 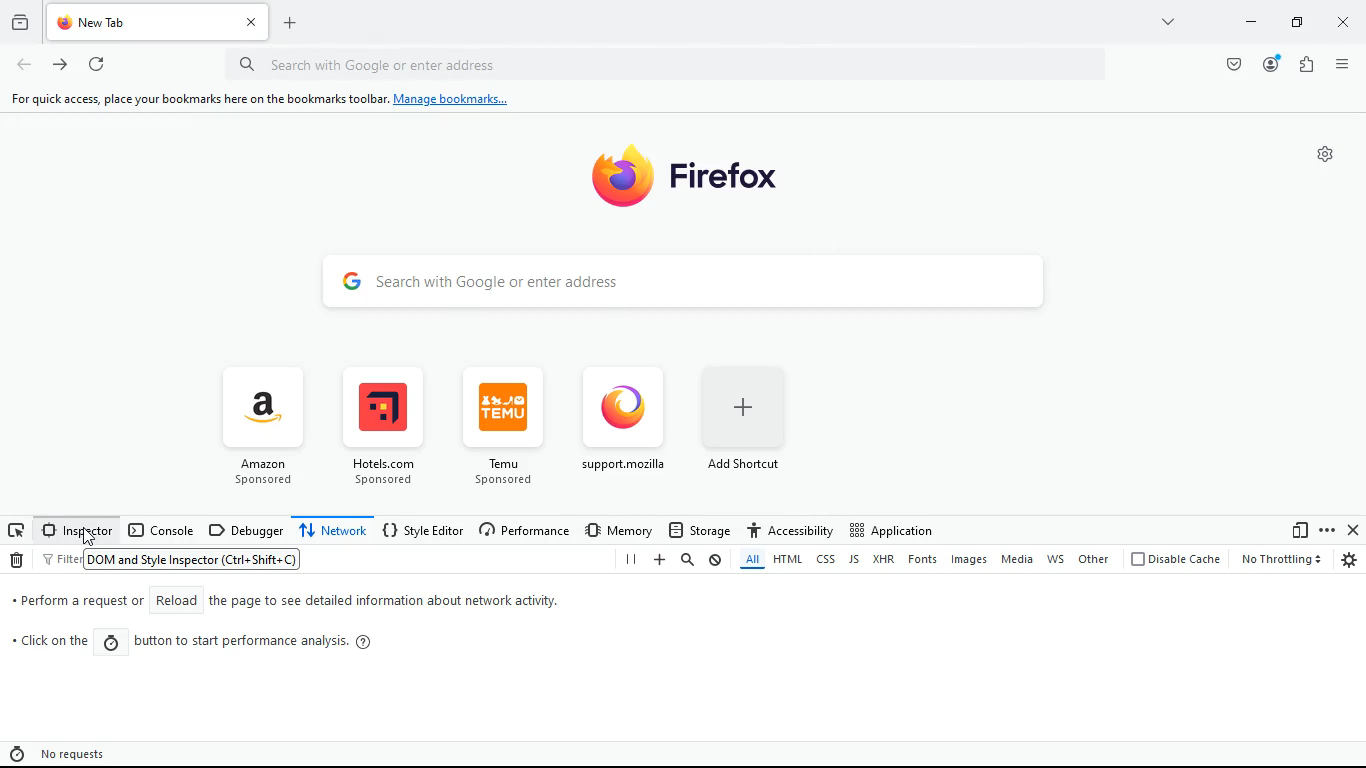 What do you see at coordinates (1094, 559) in the screenshot?
I see `other` at bounding box center [1094, 559].